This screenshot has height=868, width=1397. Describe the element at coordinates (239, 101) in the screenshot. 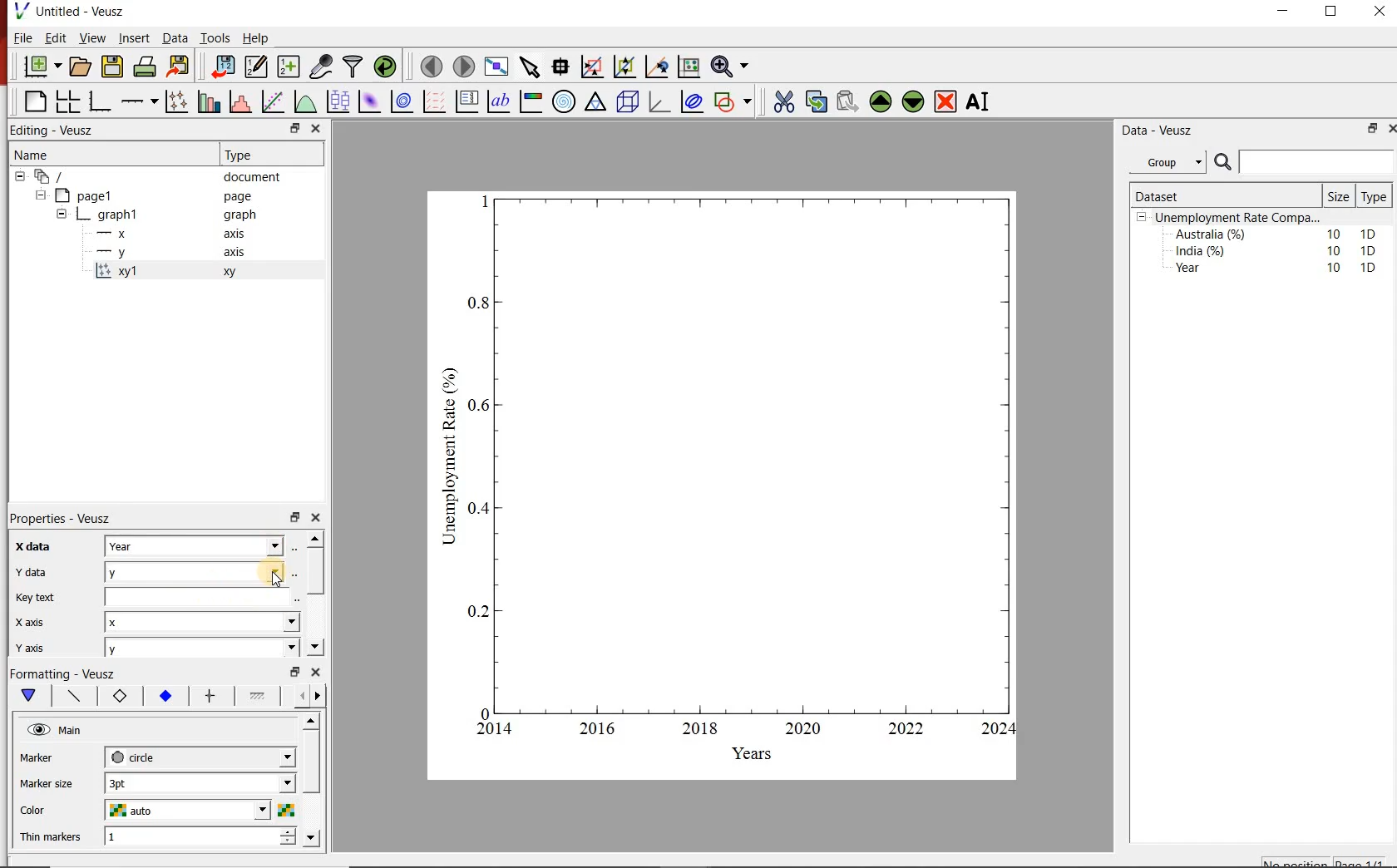

I see `histograms` at that location.